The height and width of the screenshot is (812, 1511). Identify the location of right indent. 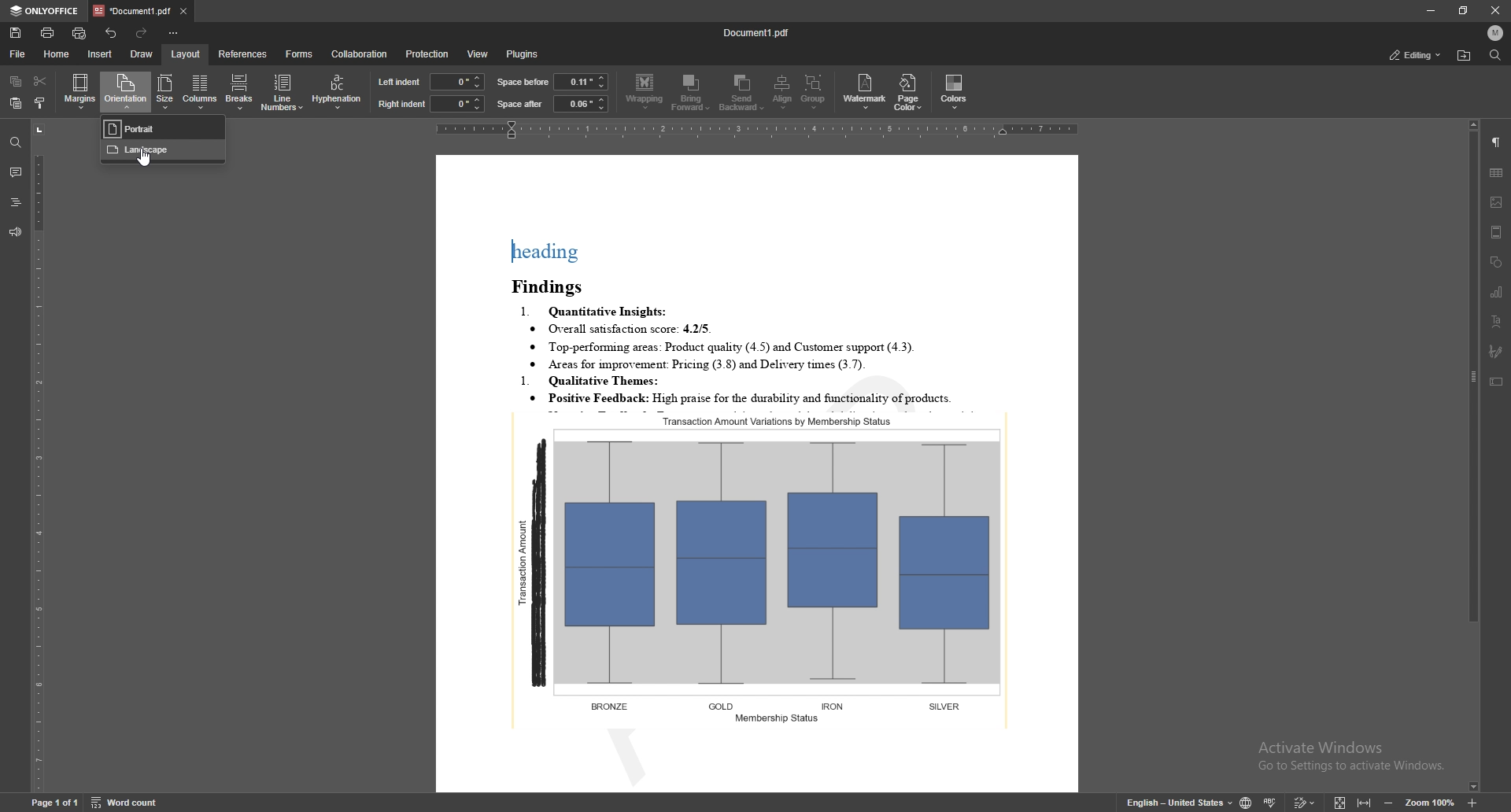
(401, 105).